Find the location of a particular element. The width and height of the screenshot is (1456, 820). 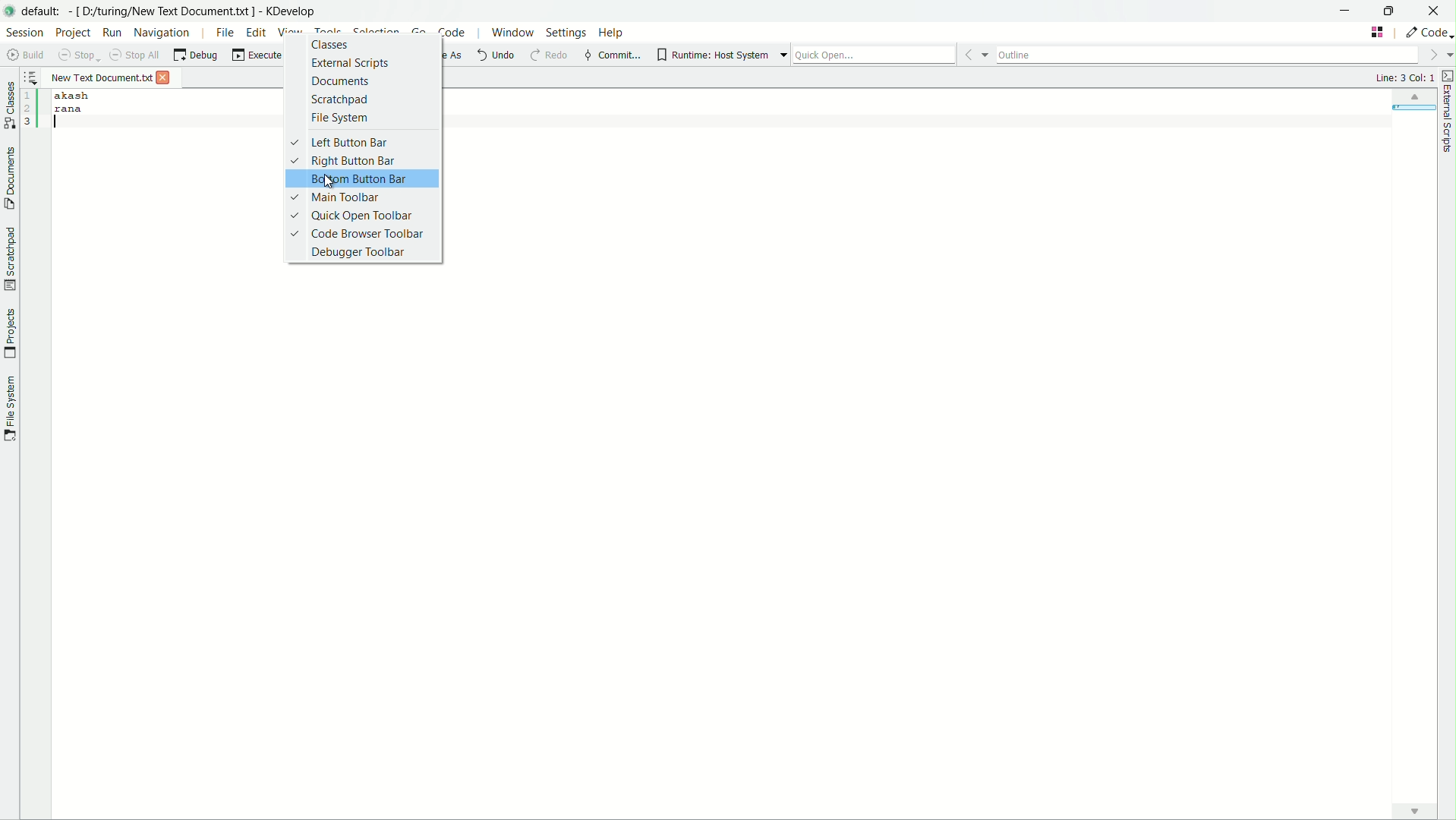

clickable button is located at coordinates (1414, 811).